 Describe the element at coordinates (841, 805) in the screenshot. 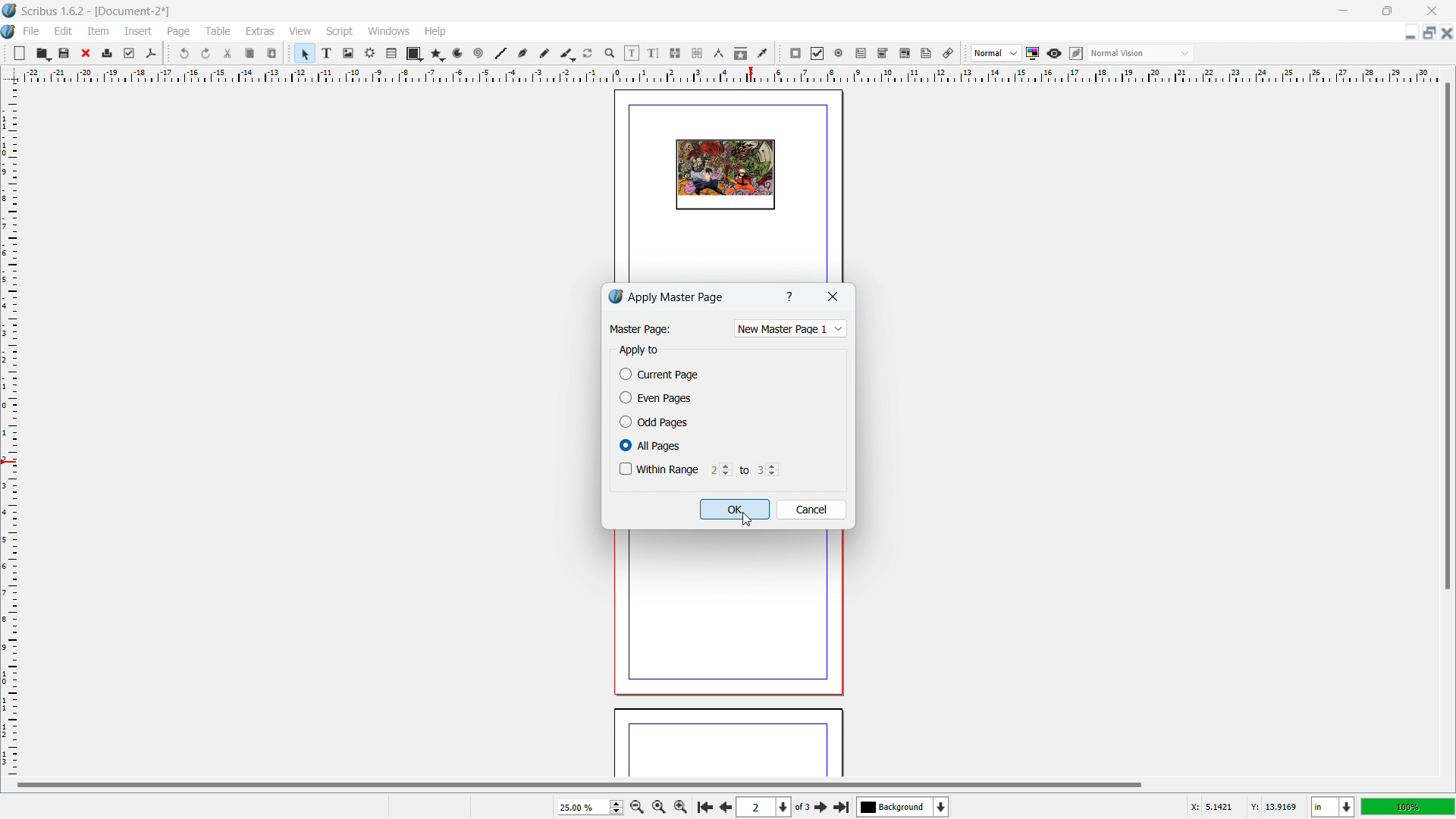

I see `last page` at that location.